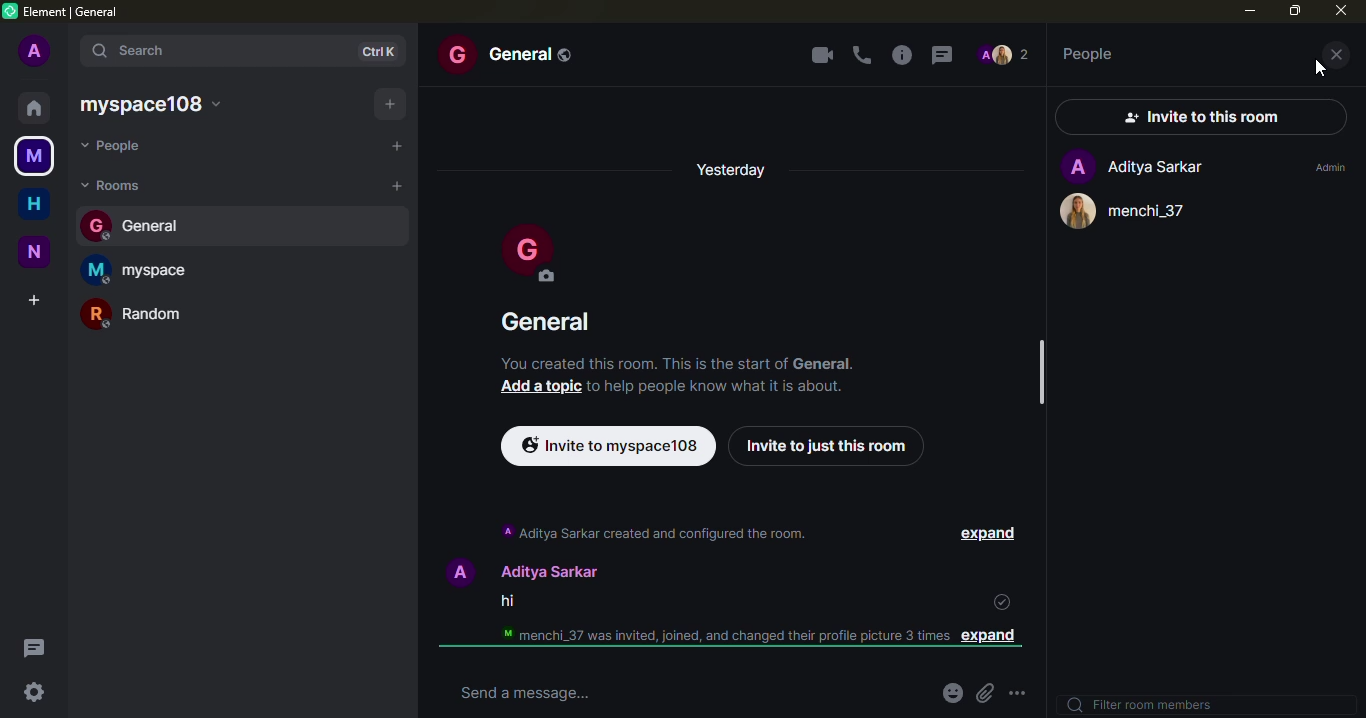 The width and height of the screenshot is (1366, 718). What do you see at coordinates (1335, 55) in the screenshot?
I see `close` at bounding box center [1335, 55].